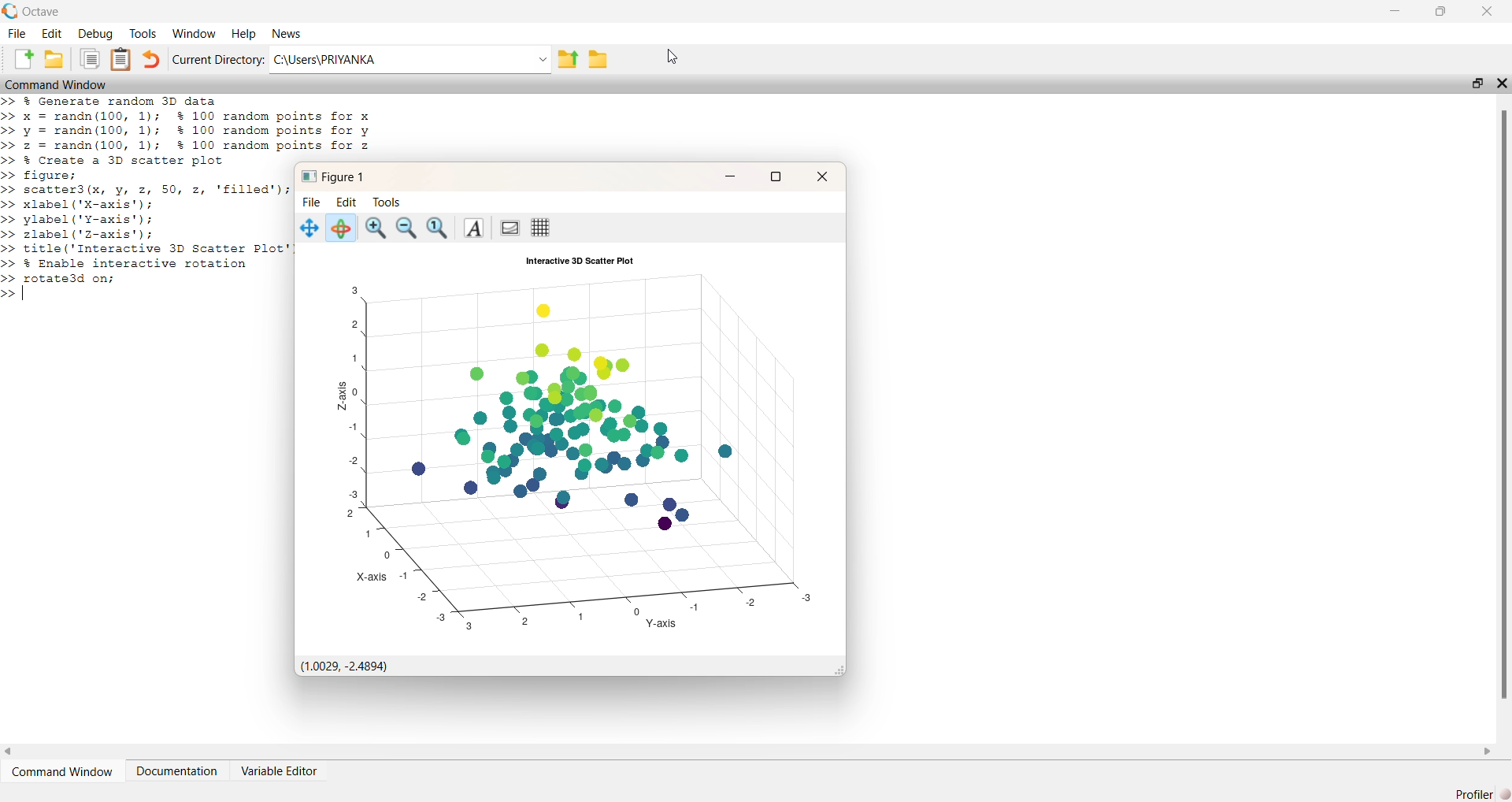  Describe the element at coordinates (1396, 10) in the screenshot. I see `minimize` at that location.